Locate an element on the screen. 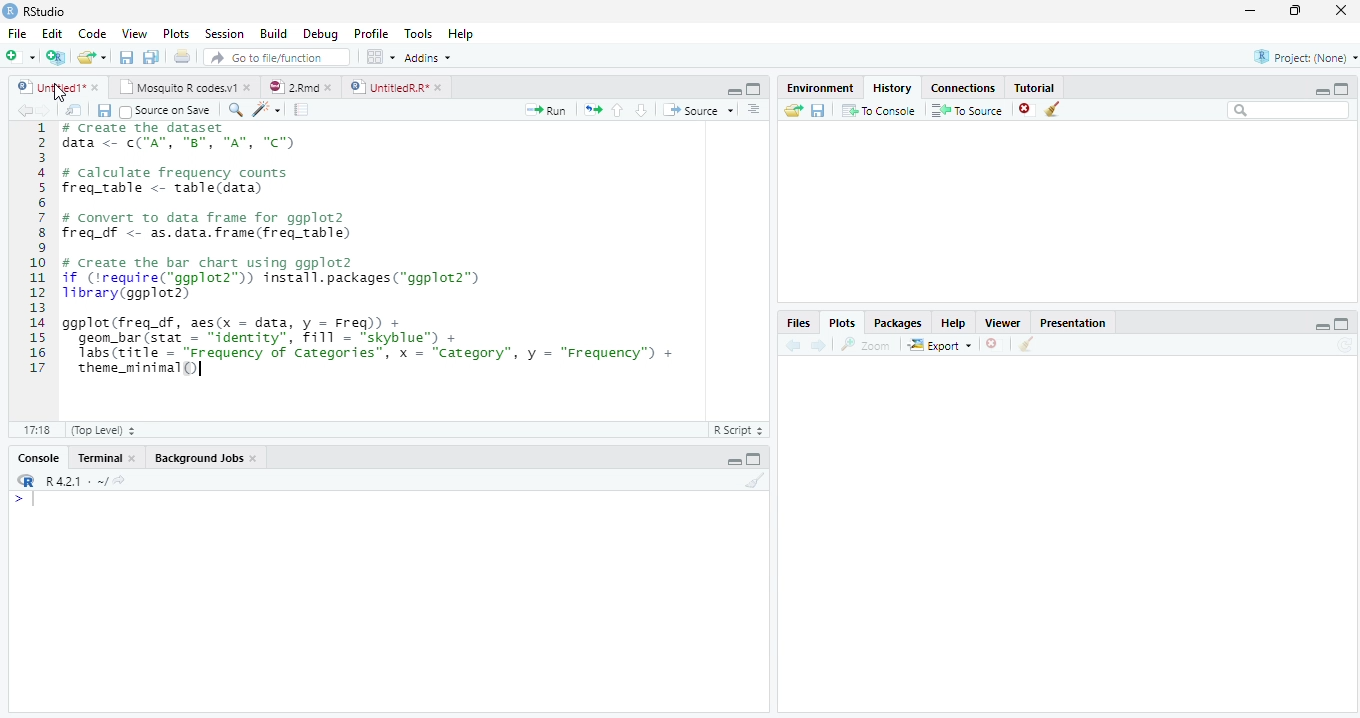 This screenshot has height=718, width=1360. Maximize is located at coordinates (1343, 324).